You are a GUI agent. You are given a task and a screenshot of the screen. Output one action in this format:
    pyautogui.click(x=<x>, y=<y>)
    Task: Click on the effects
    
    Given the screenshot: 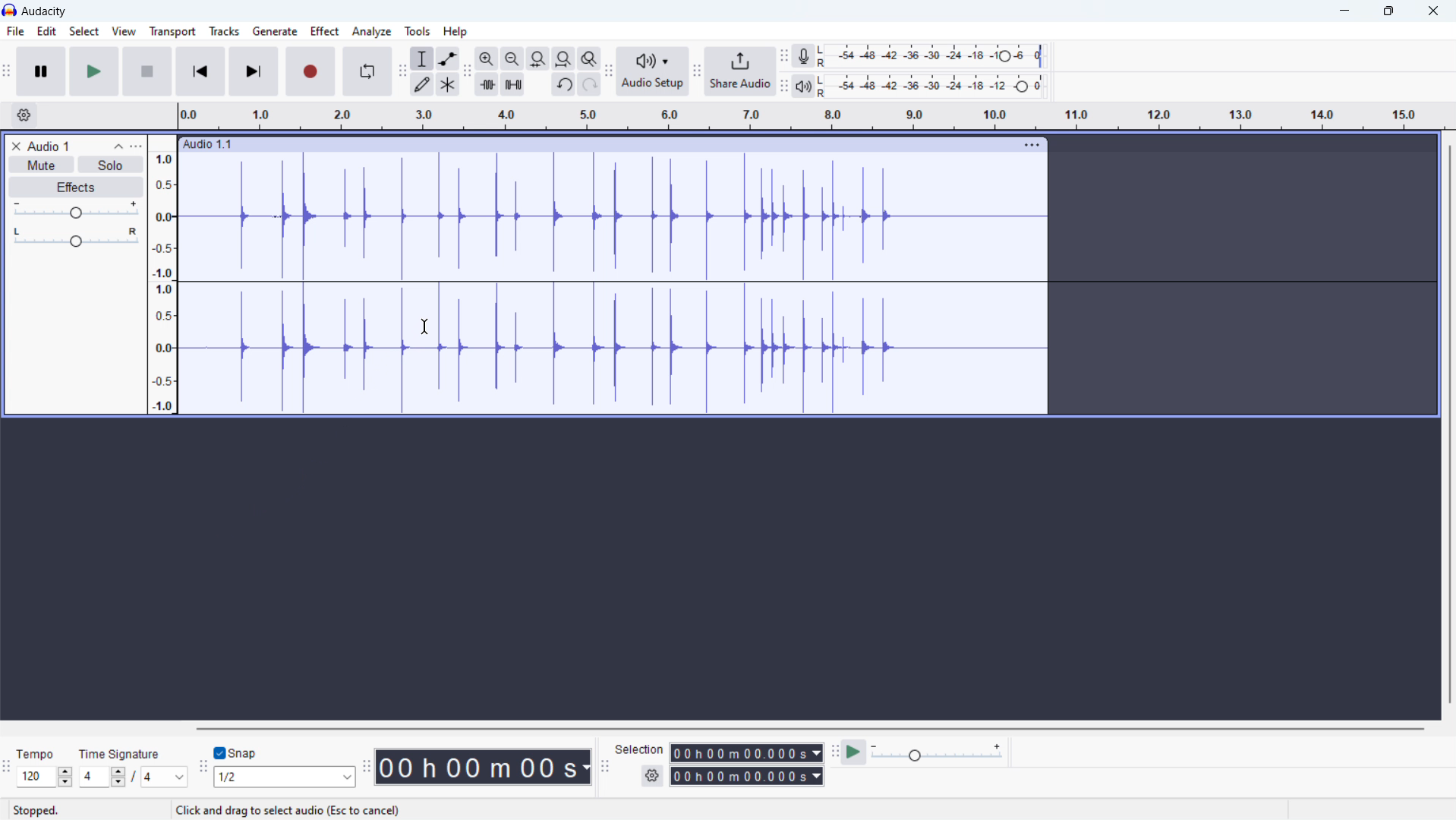 What is the action you would take?
    pyautogui.click(x=76, y=187)
    